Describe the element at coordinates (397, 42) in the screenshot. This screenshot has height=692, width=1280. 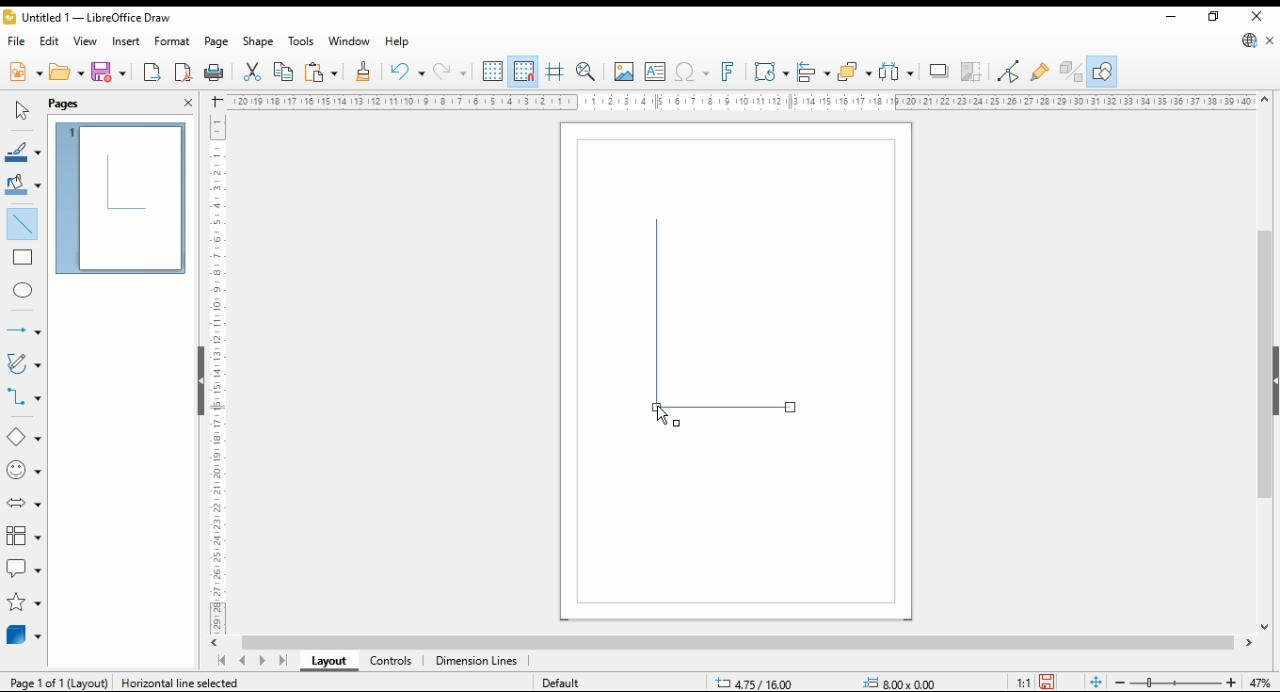
I see `help` at that location.